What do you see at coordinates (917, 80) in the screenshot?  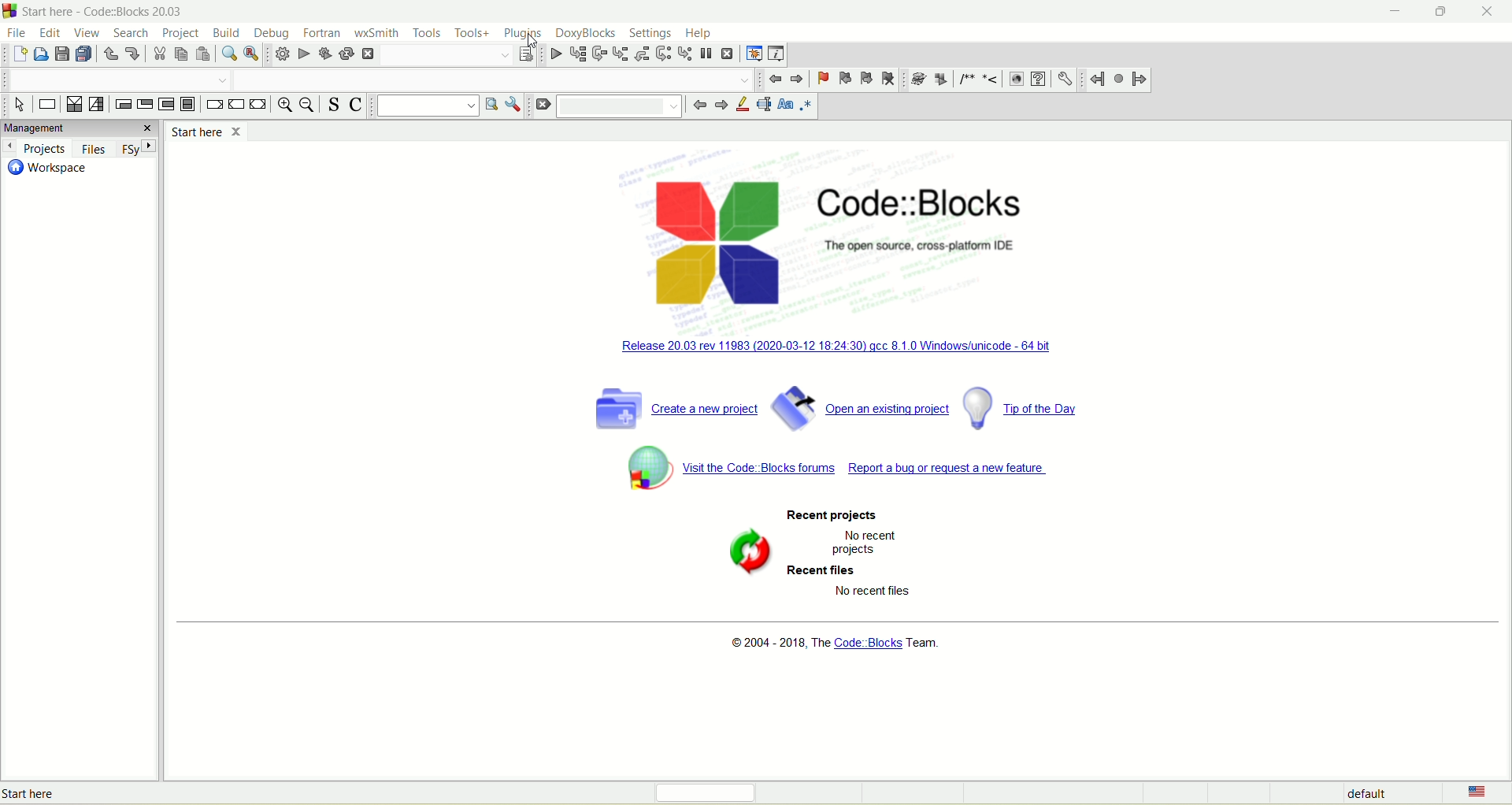 I see `Run doxywizard` at bounding box center [917, 80].